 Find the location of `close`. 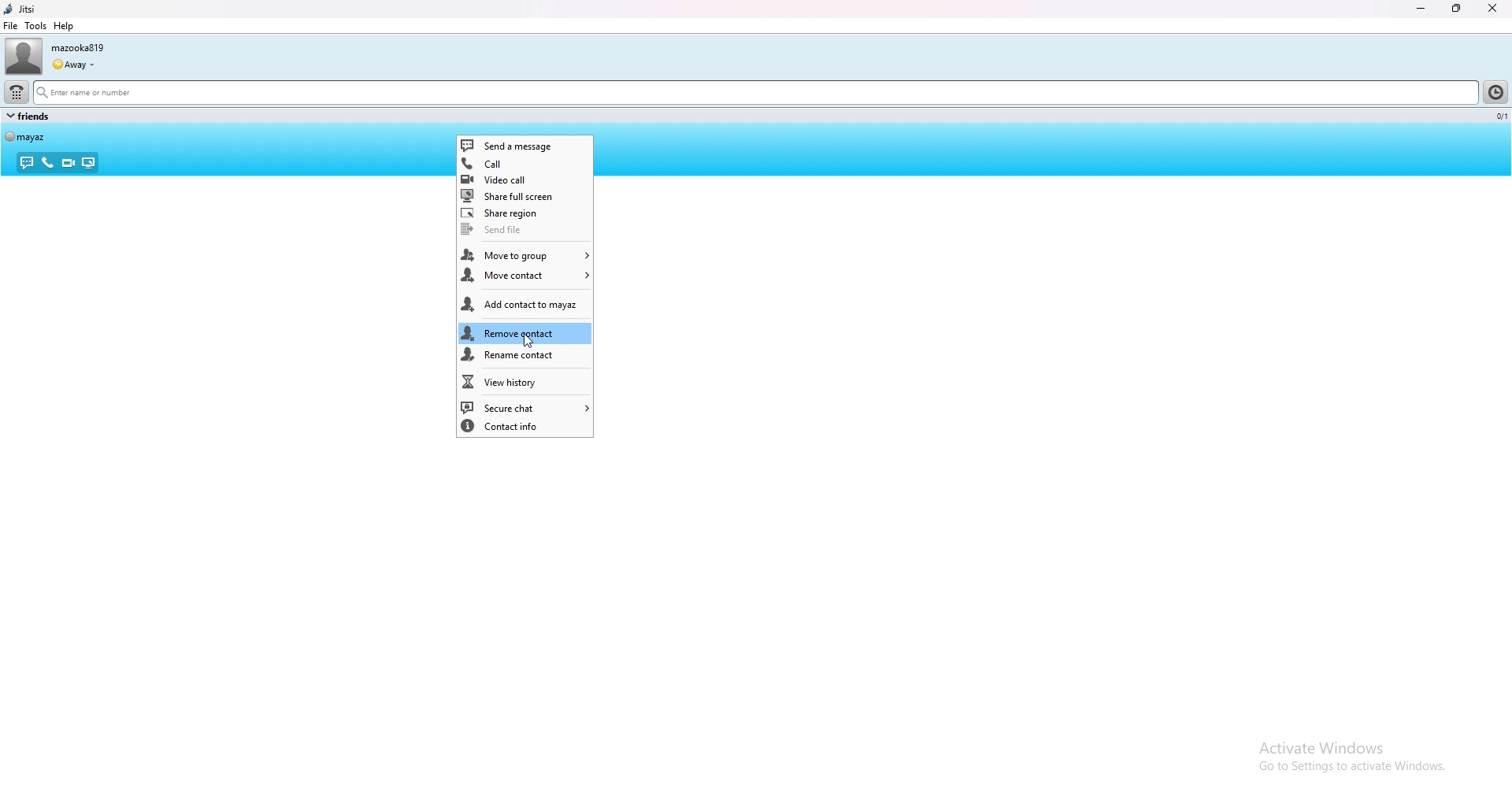

close is located at coordinates (1492, 9).